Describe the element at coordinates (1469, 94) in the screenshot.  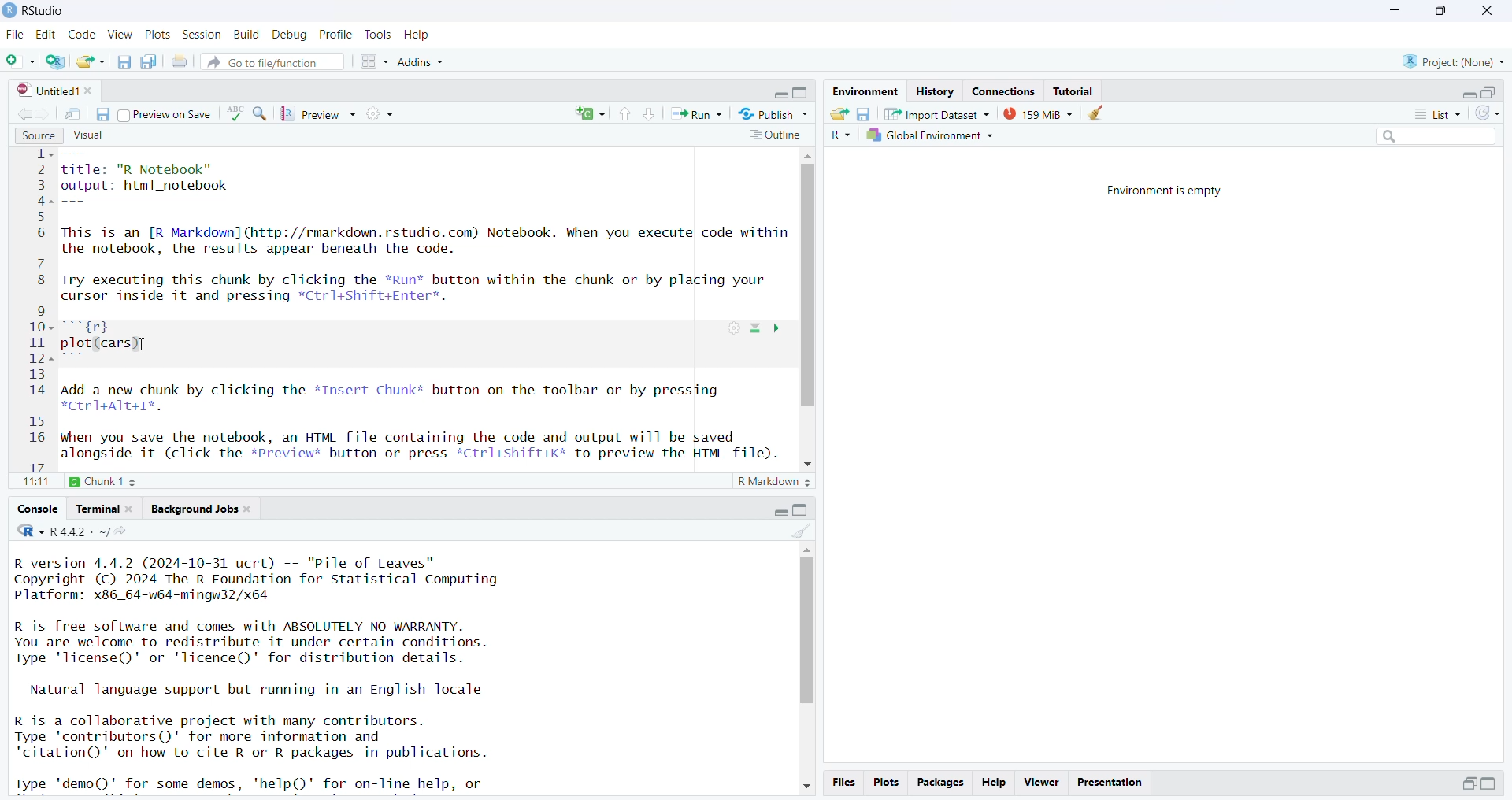
I see `expand` at that location.